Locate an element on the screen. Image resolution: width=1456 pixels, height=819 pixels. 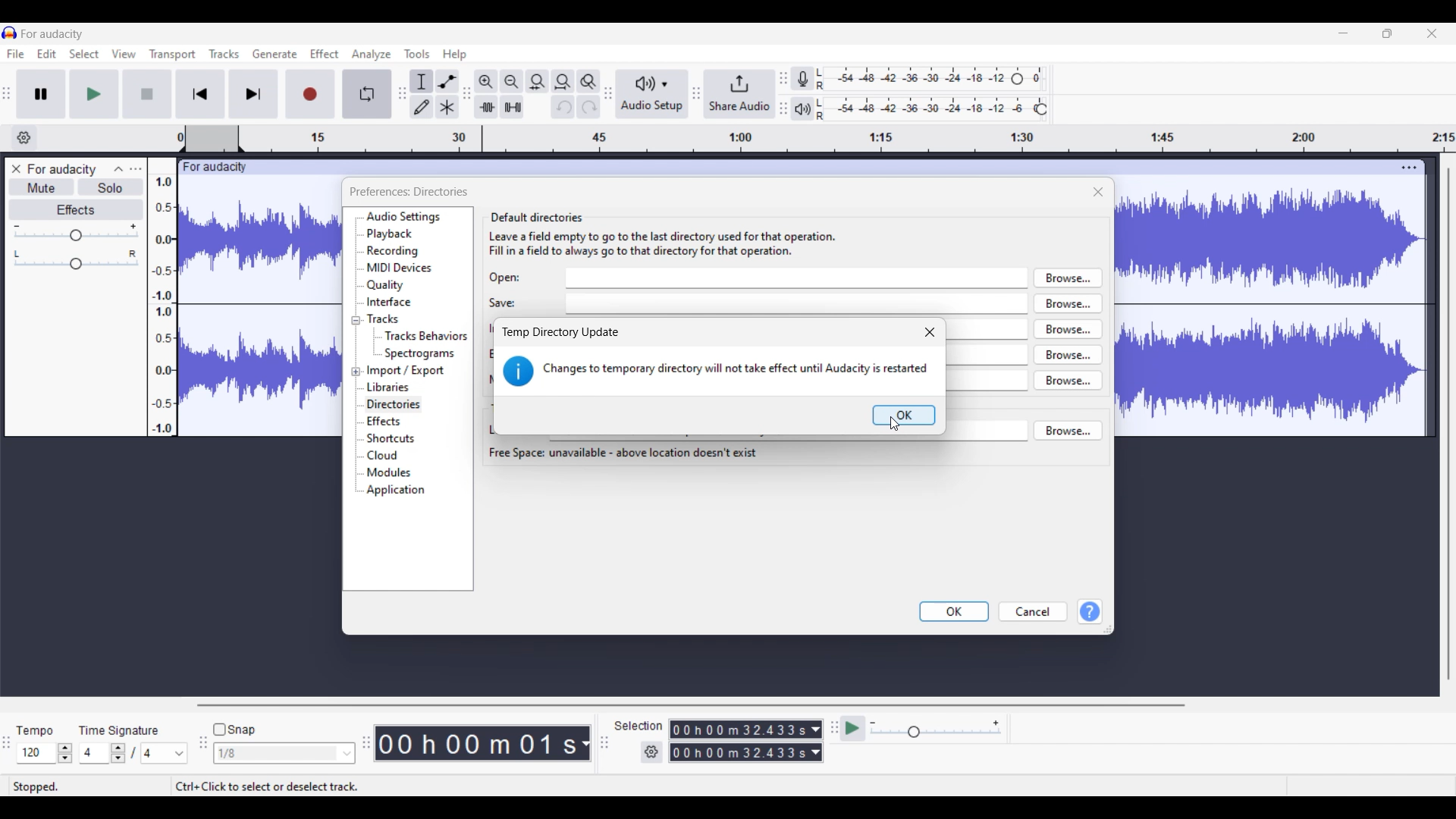
Indicates text box for save is located at coordinates (503, 303).